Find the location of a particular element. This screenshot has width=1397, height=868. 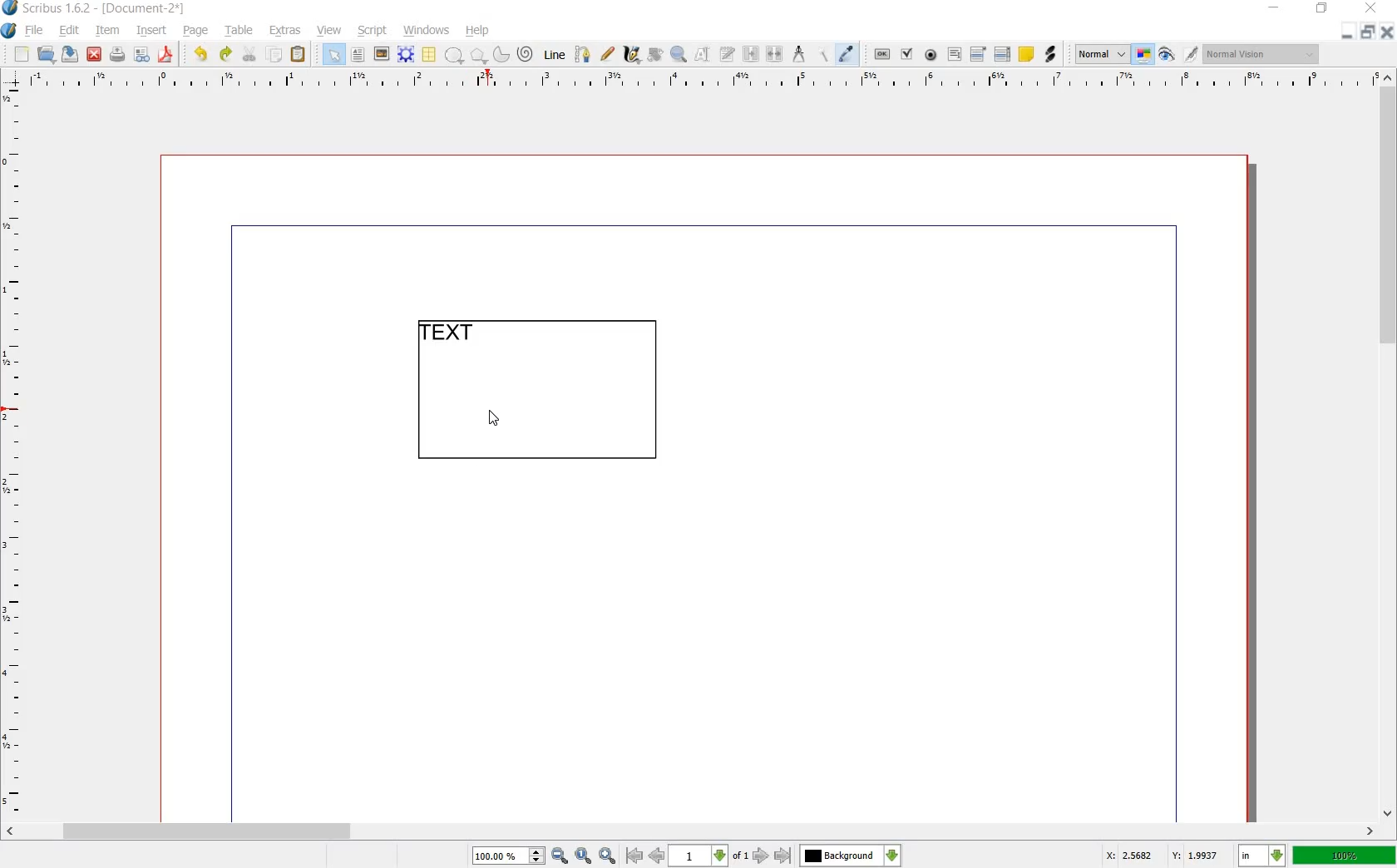

scribus 1.6.2 - [document-2*] is located at coordinates (110, 9).